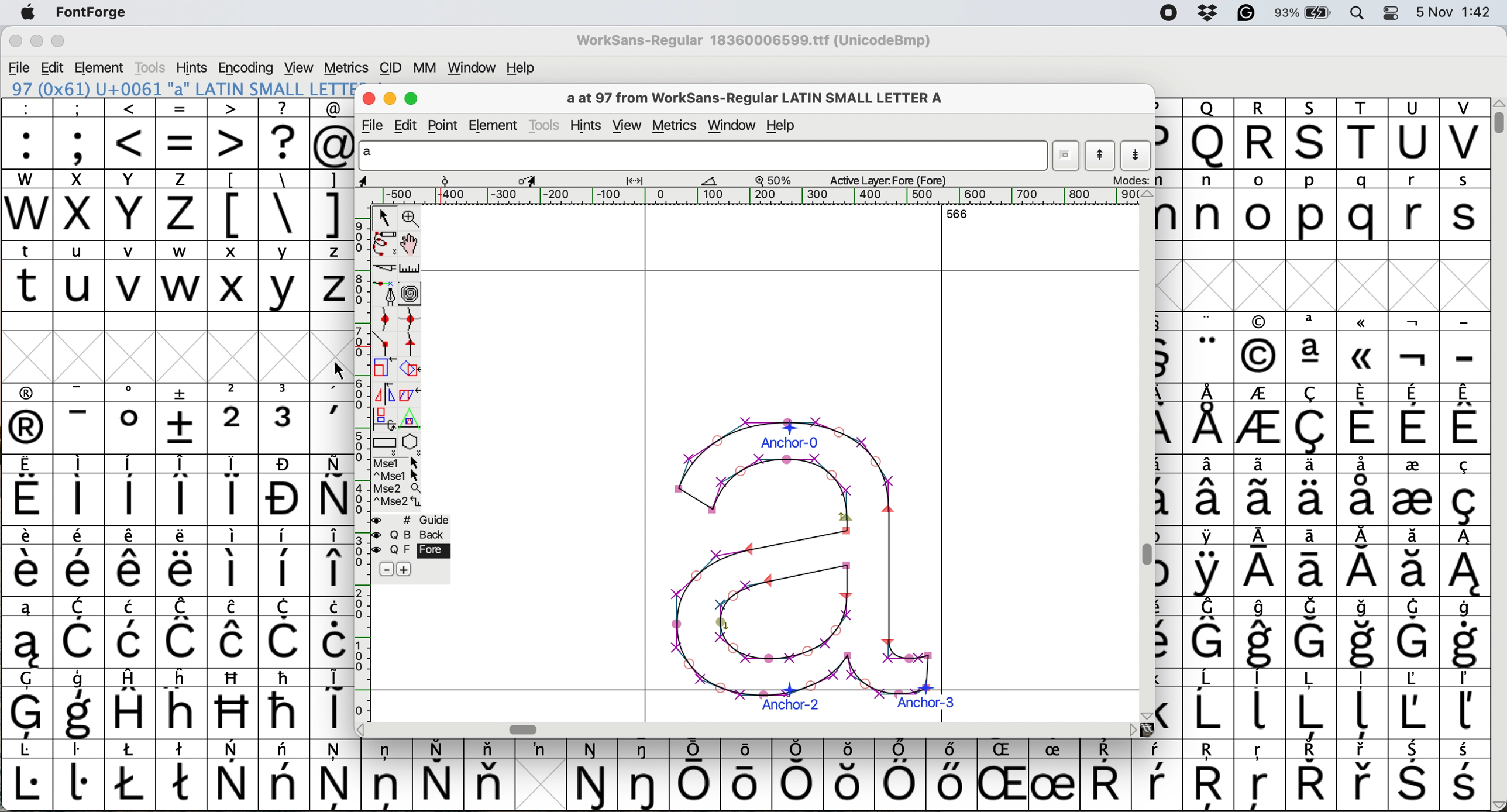  Describe the element at coordinates (407, 126) in the screenshot. I see `edit` at that location.